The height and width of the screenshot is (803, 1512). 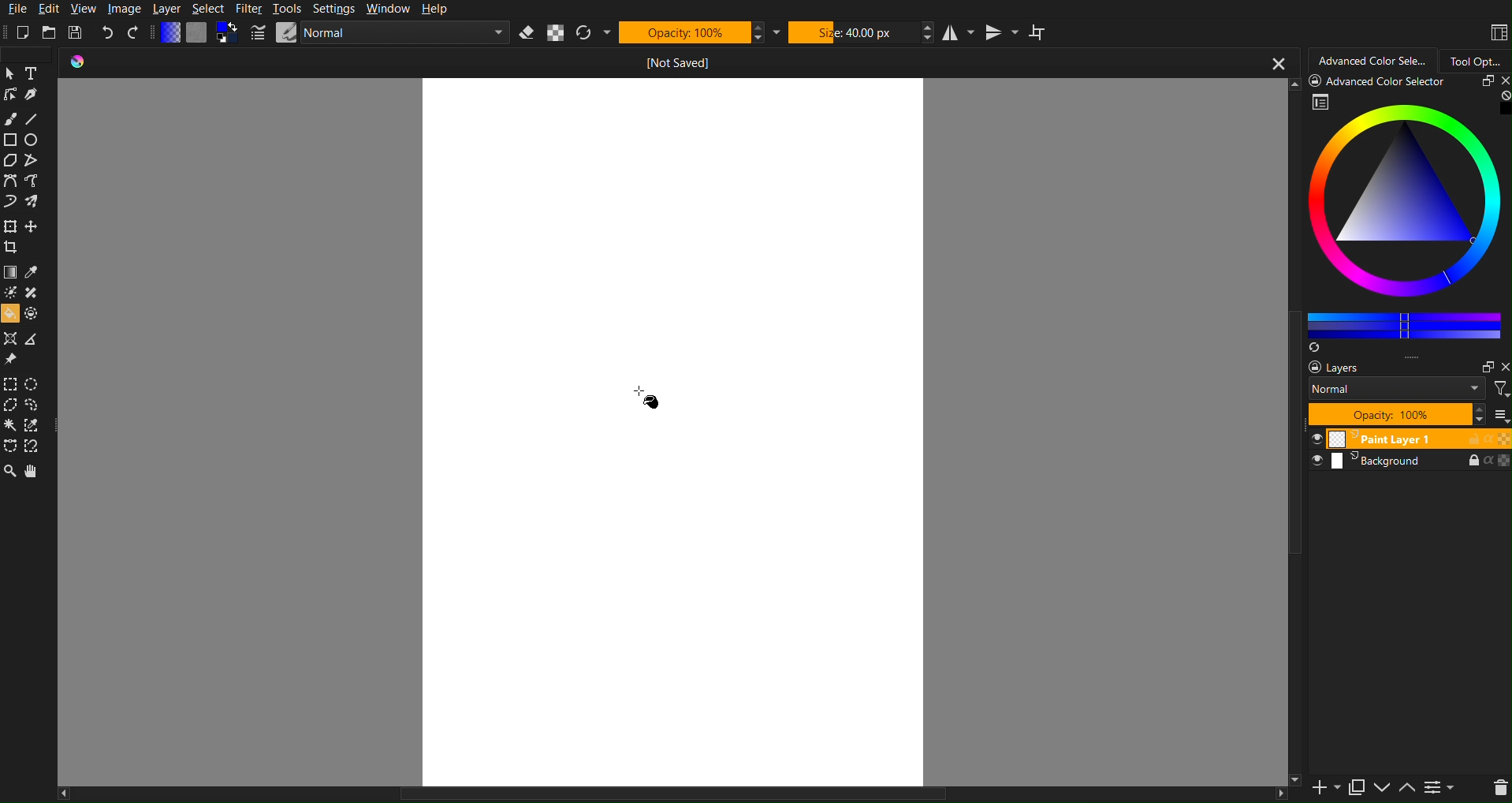 I want to click on Color Settings, so click(x=200, y=33).